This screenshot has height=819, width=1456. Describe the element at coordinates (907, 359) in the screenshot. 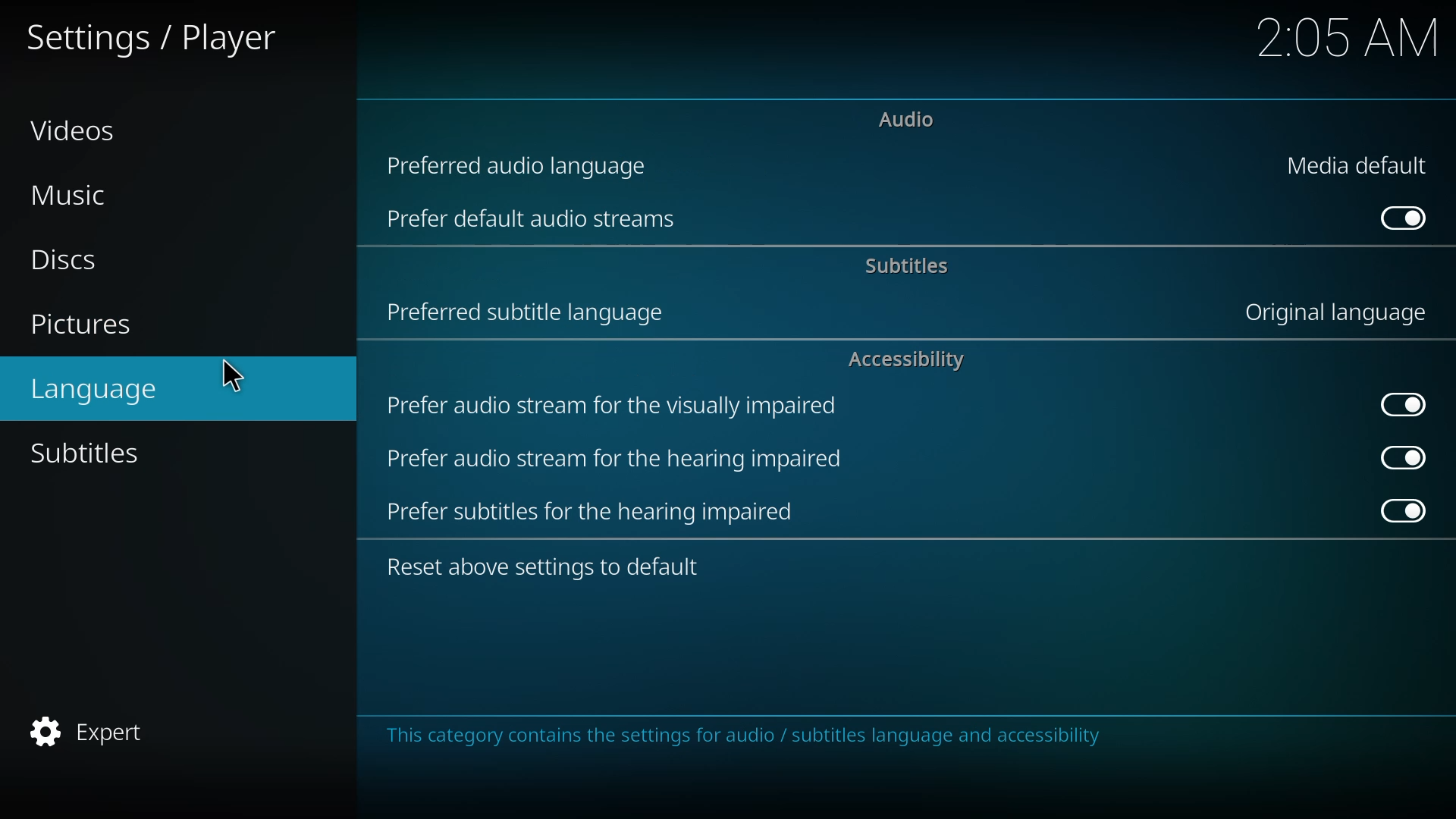

I see `accessibility` at that location.